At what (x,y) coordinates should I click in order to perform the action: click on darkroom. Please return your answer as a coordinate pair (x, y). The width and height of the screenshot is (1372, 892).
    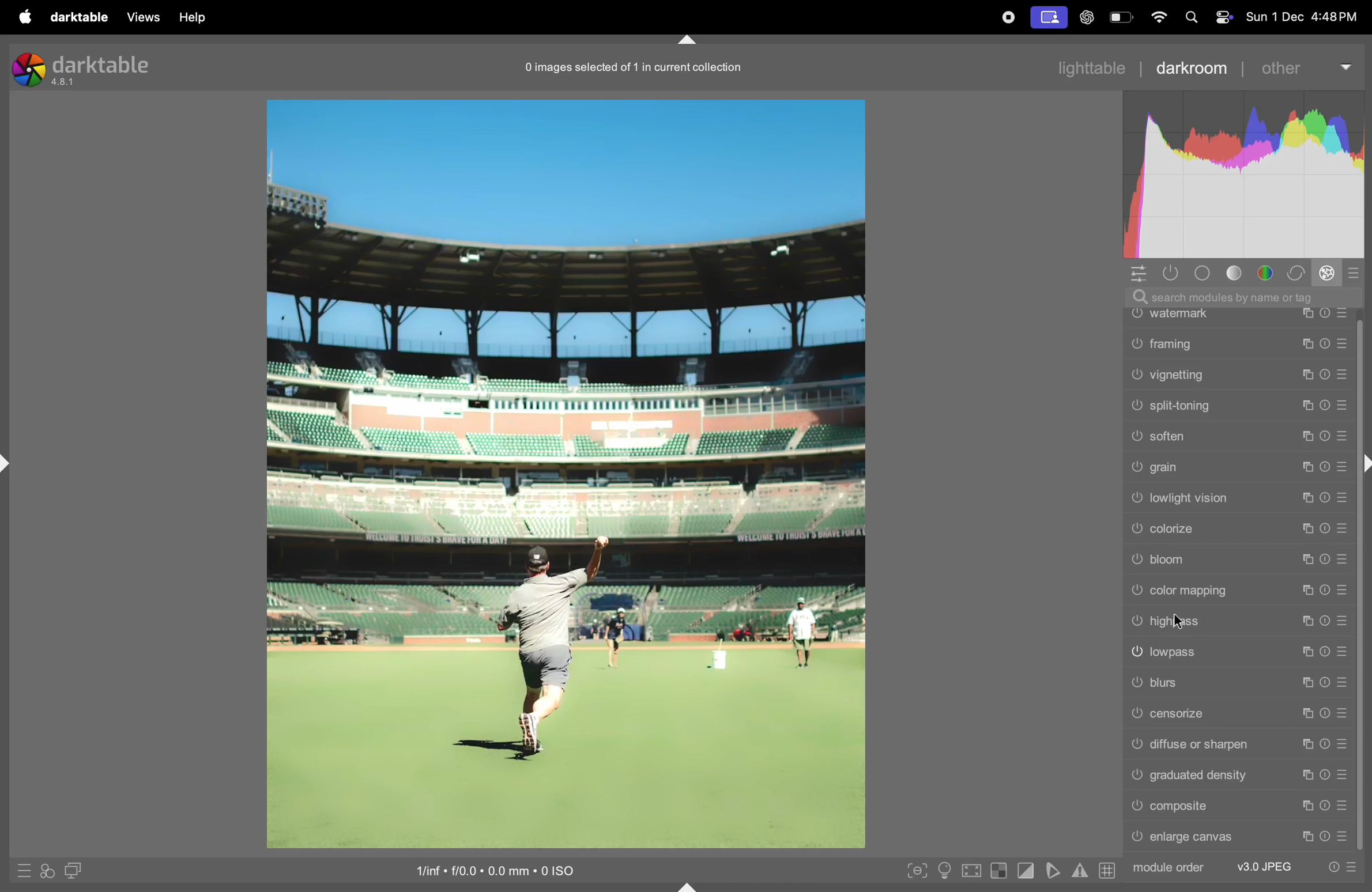
    Looking at the image, I should click on (1189, 66).